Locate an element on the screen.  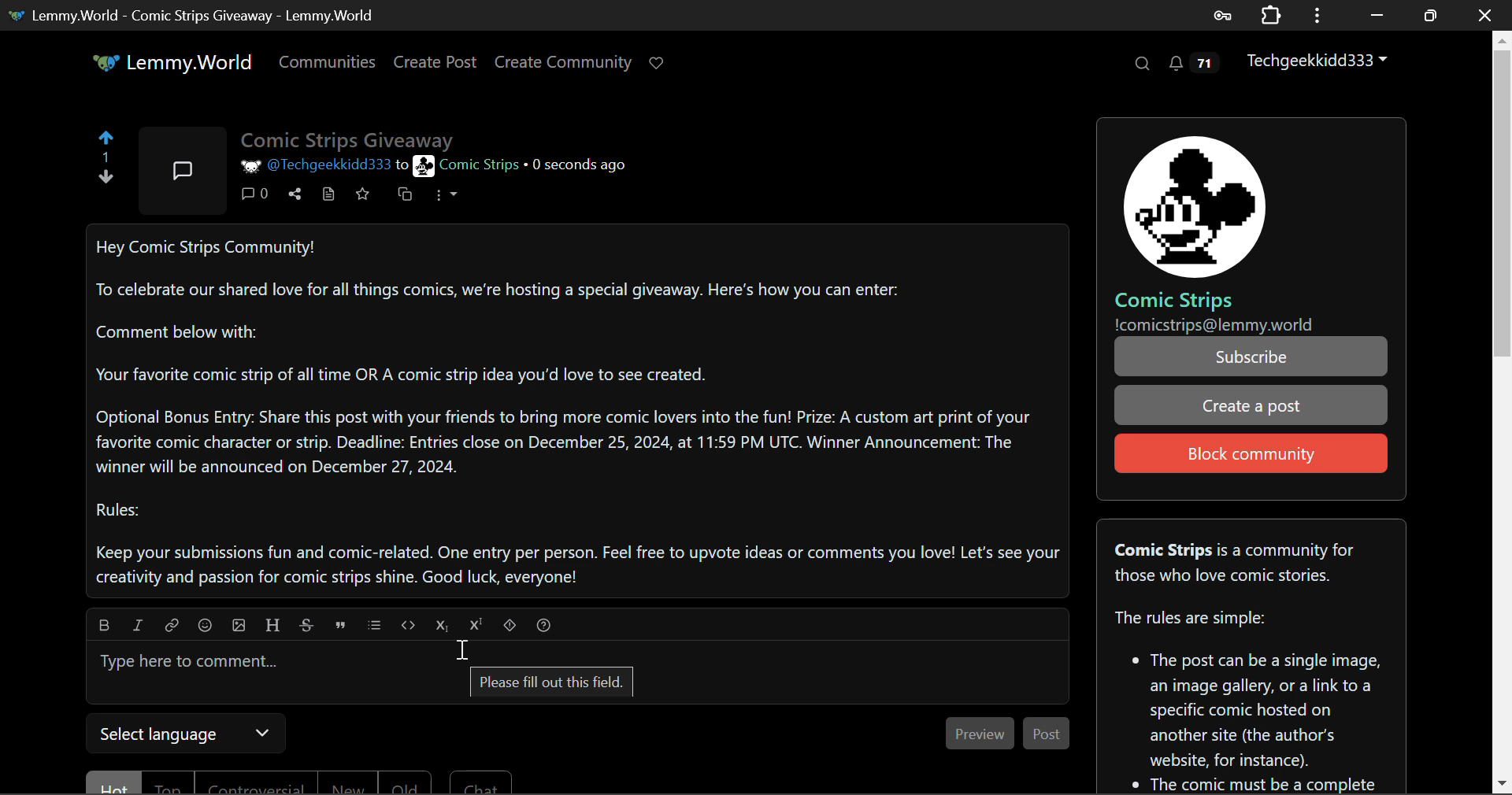
upload image is located at coordinates (240, 621).